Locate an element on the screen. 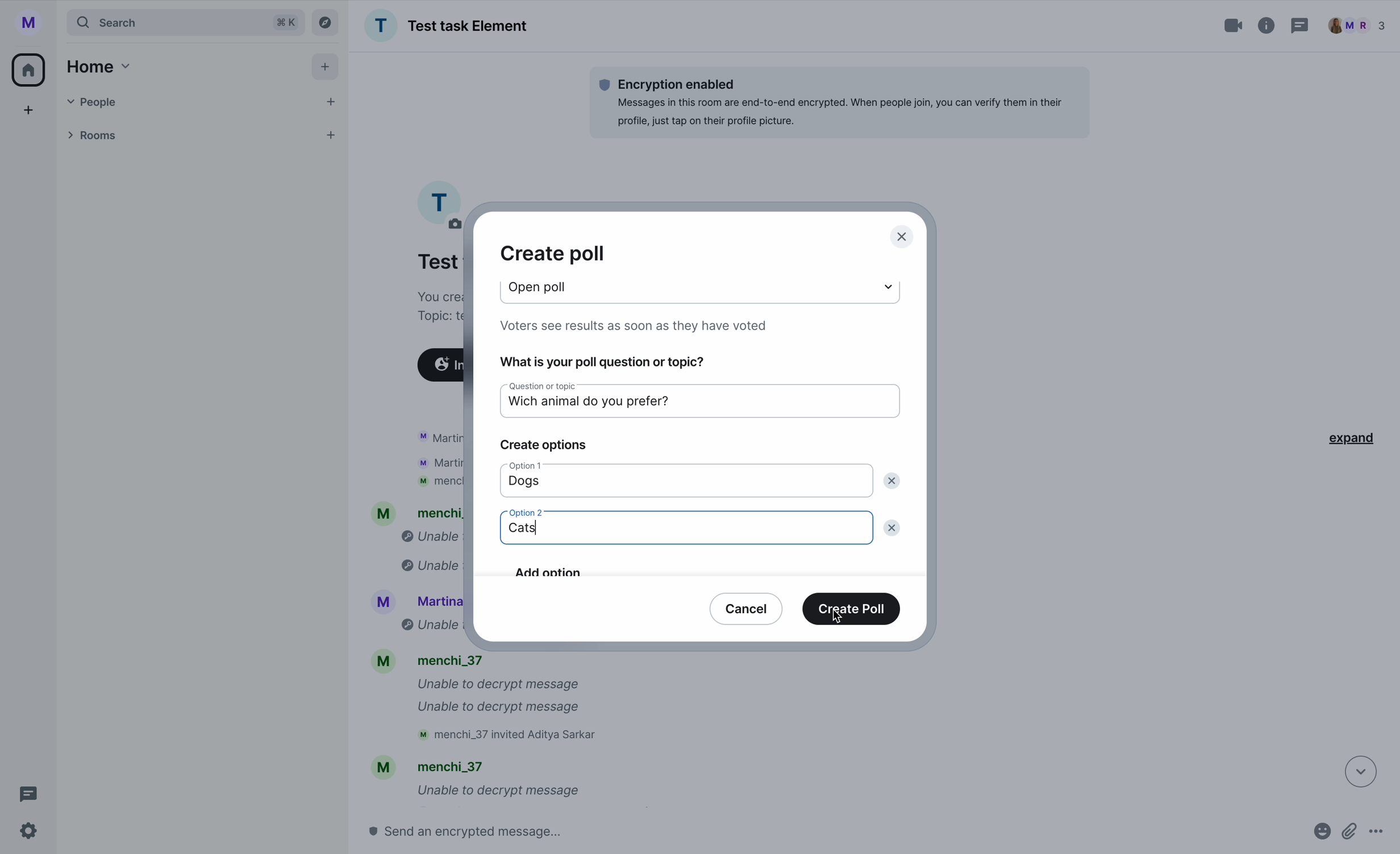 The image size is (1400, 854). add is located at coordinates (327, 69).